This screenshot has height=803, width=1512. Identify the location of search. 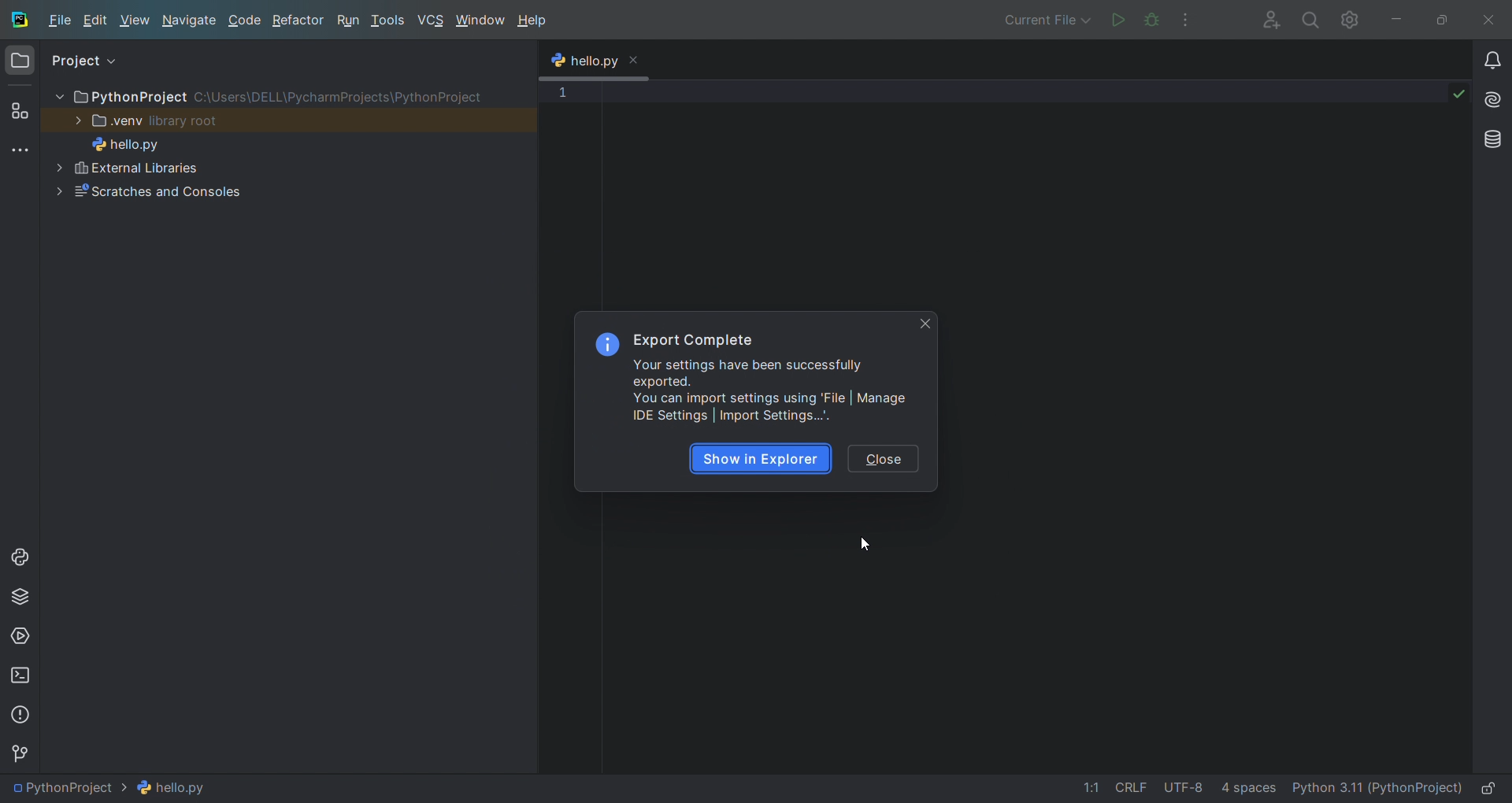
(1309, 19).